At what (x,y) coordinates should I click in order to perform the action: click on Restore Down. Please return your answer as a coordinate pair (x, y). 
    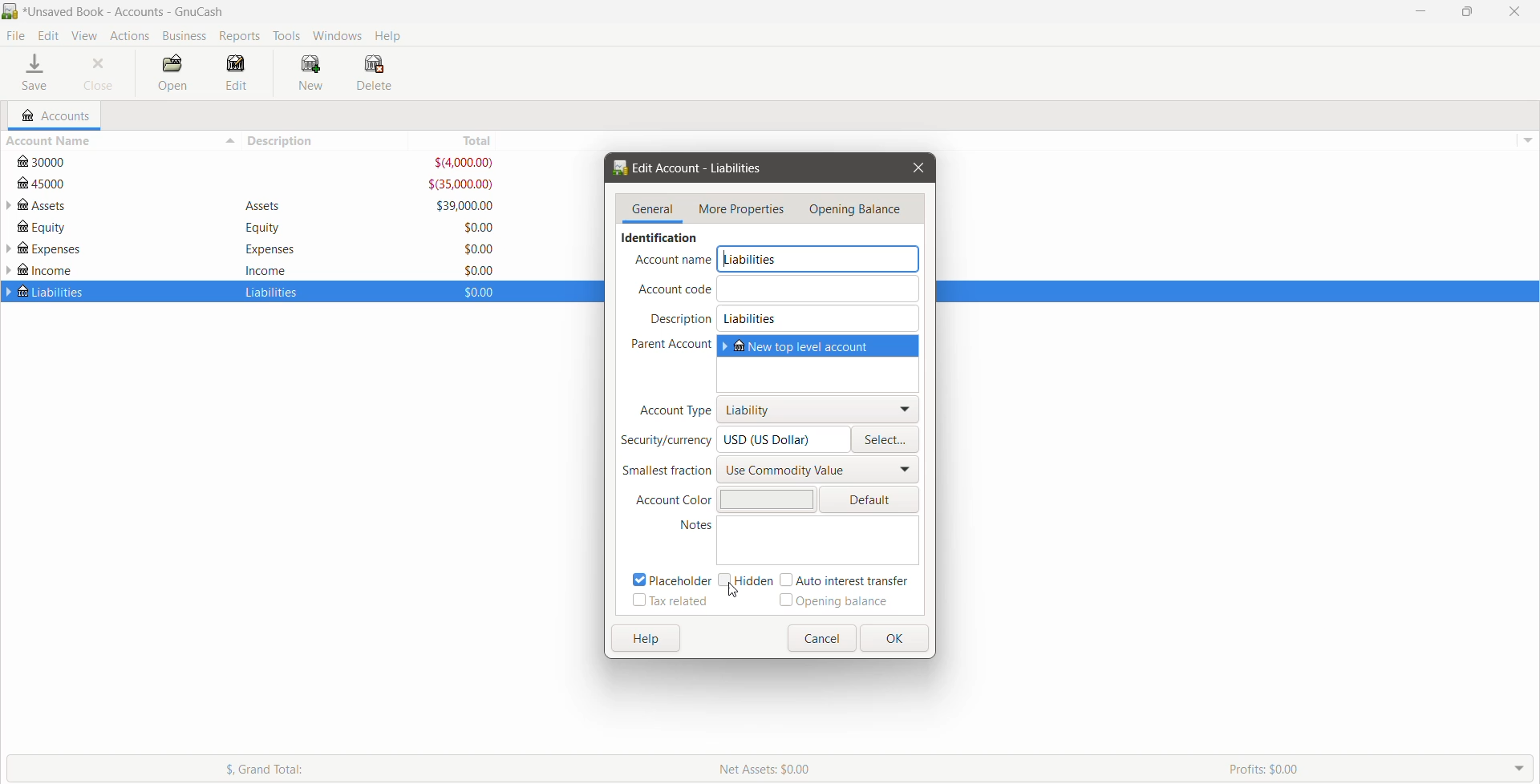
    Looking at the image, I should click on (1467, 12).